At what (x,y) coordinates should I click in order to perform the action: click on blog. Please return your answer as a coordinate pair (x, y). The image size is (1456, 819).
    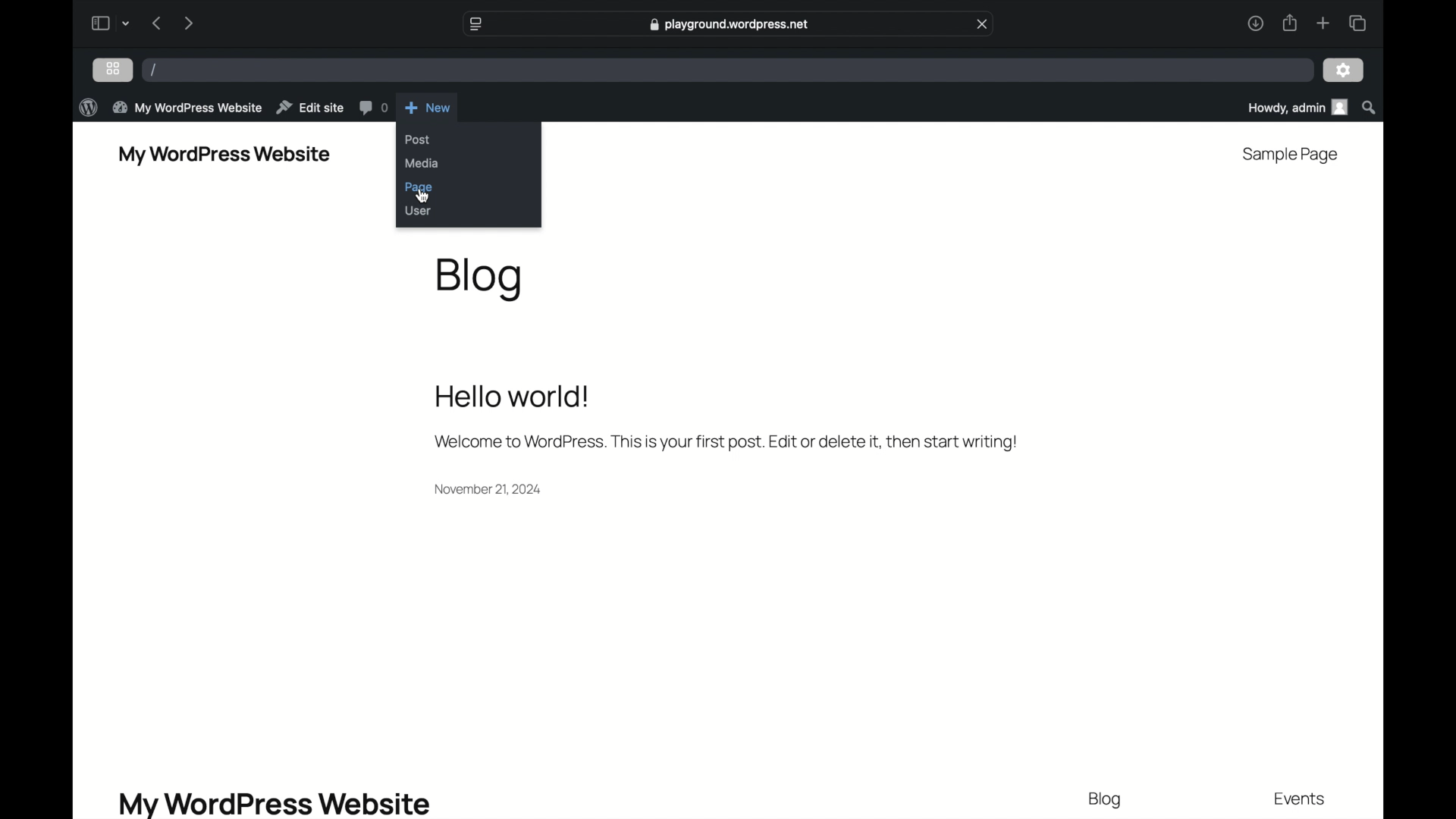
    Looking at the image, I should click on (1106, 801).